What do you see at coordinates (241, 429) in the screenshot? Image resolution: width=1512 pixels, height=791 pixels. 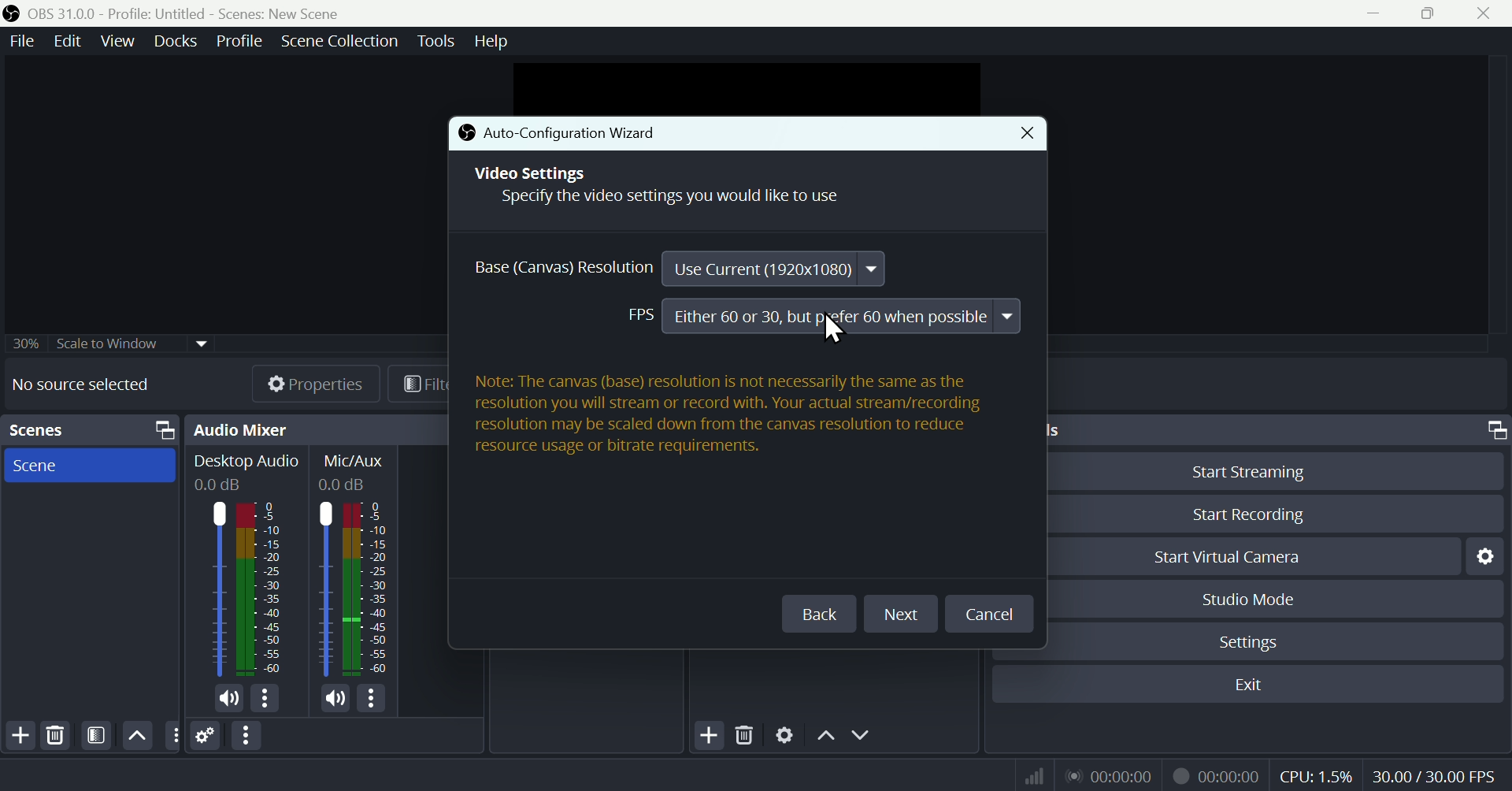 I see `Audio mixer` at bounding box center [241, 429].